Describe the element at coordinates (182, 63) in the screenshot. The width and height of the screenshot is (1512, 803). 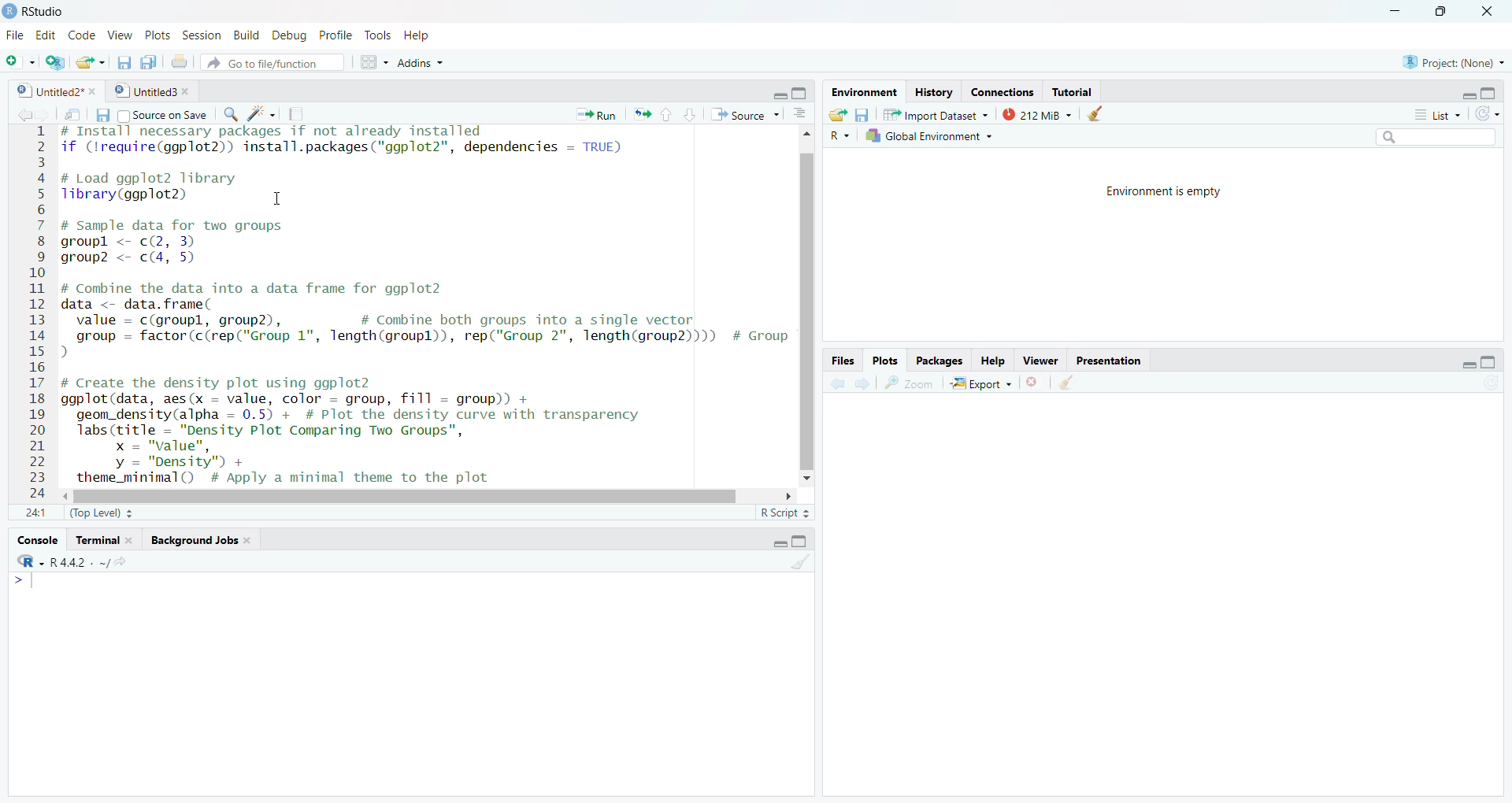
I see `print the current file` at that location.